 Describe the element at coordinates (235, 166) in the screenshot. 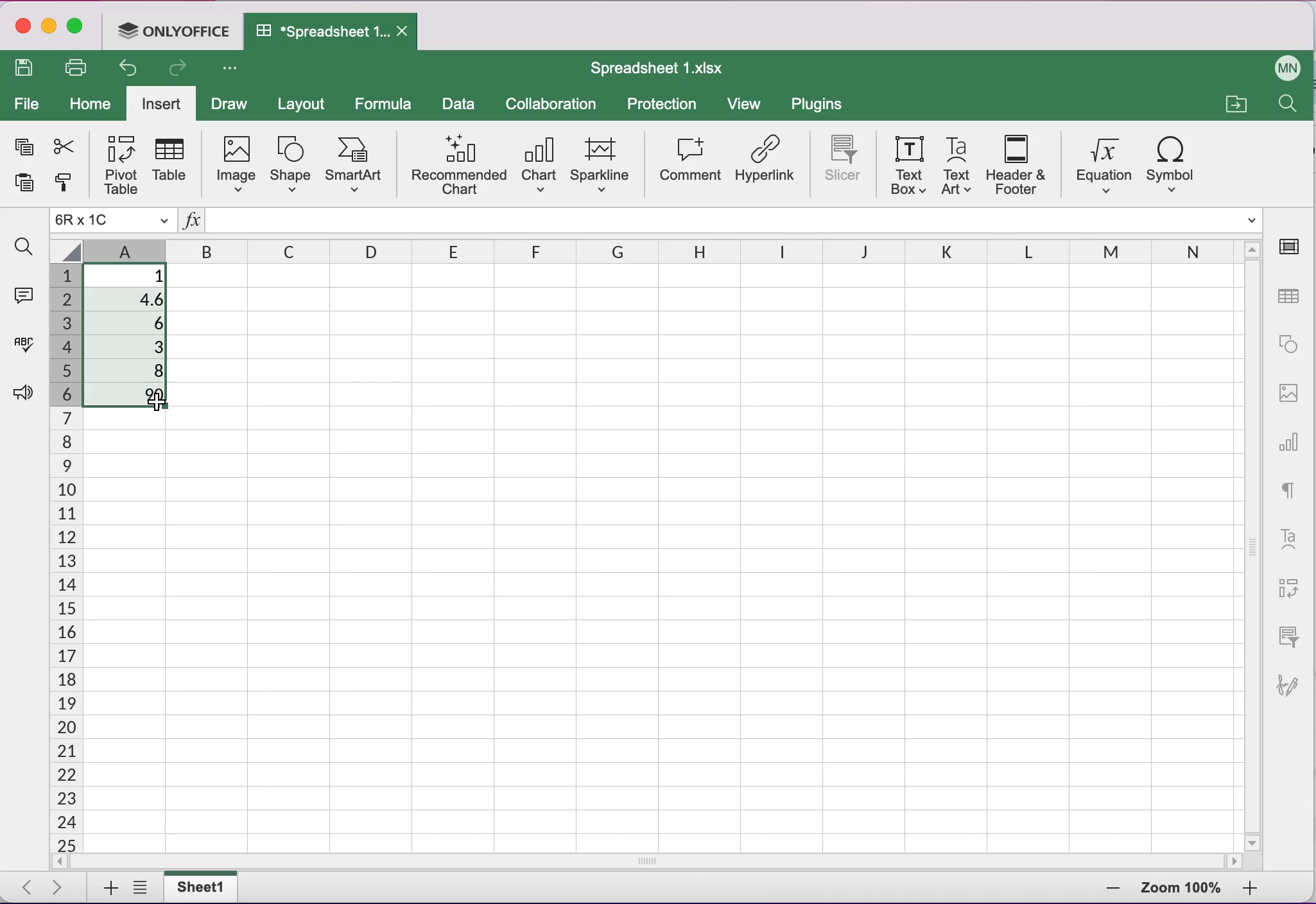

I see `image` at that location.